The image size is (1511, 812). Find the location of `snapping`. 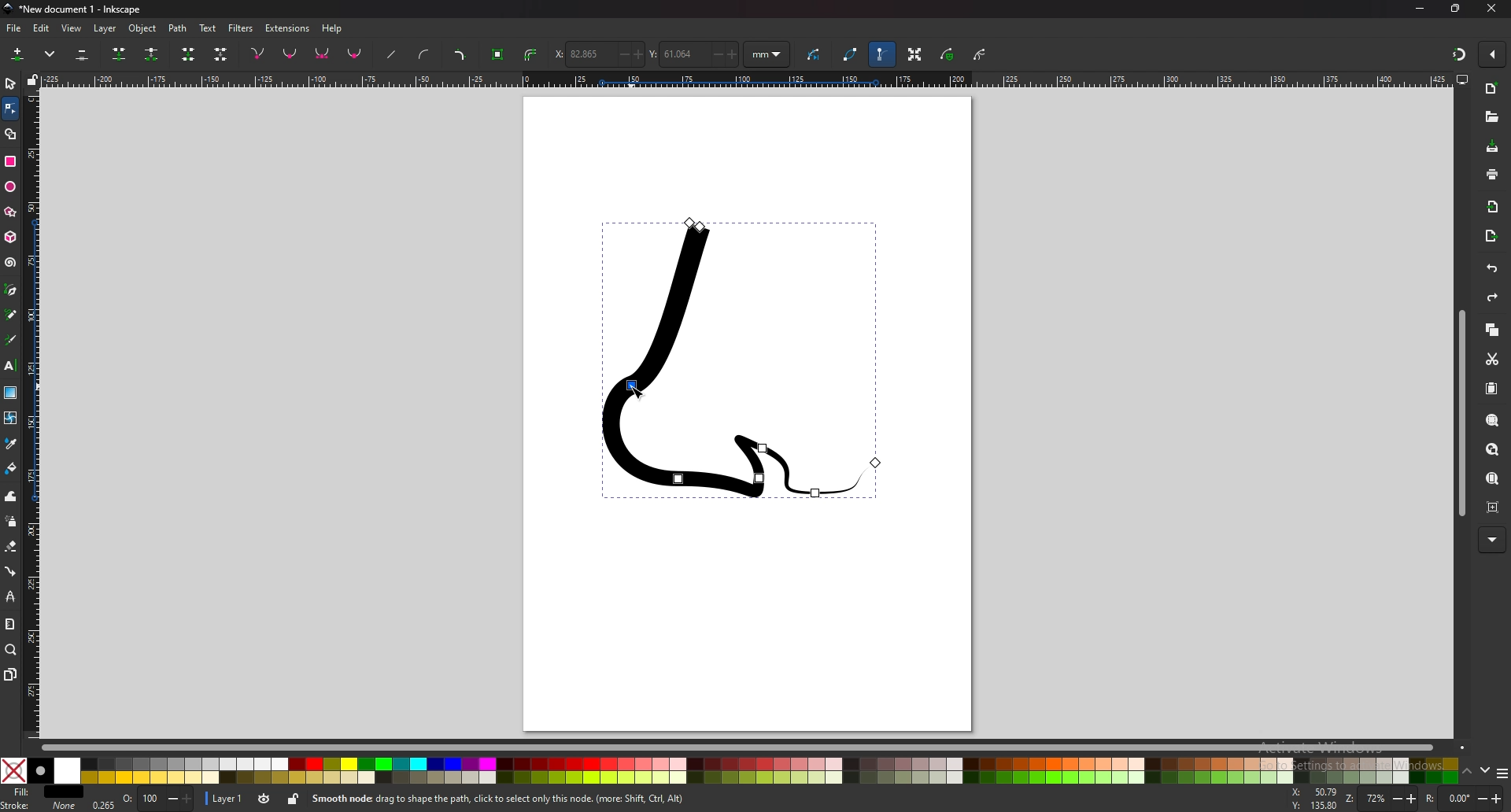

snapping is located at coordinates (1457, 52).